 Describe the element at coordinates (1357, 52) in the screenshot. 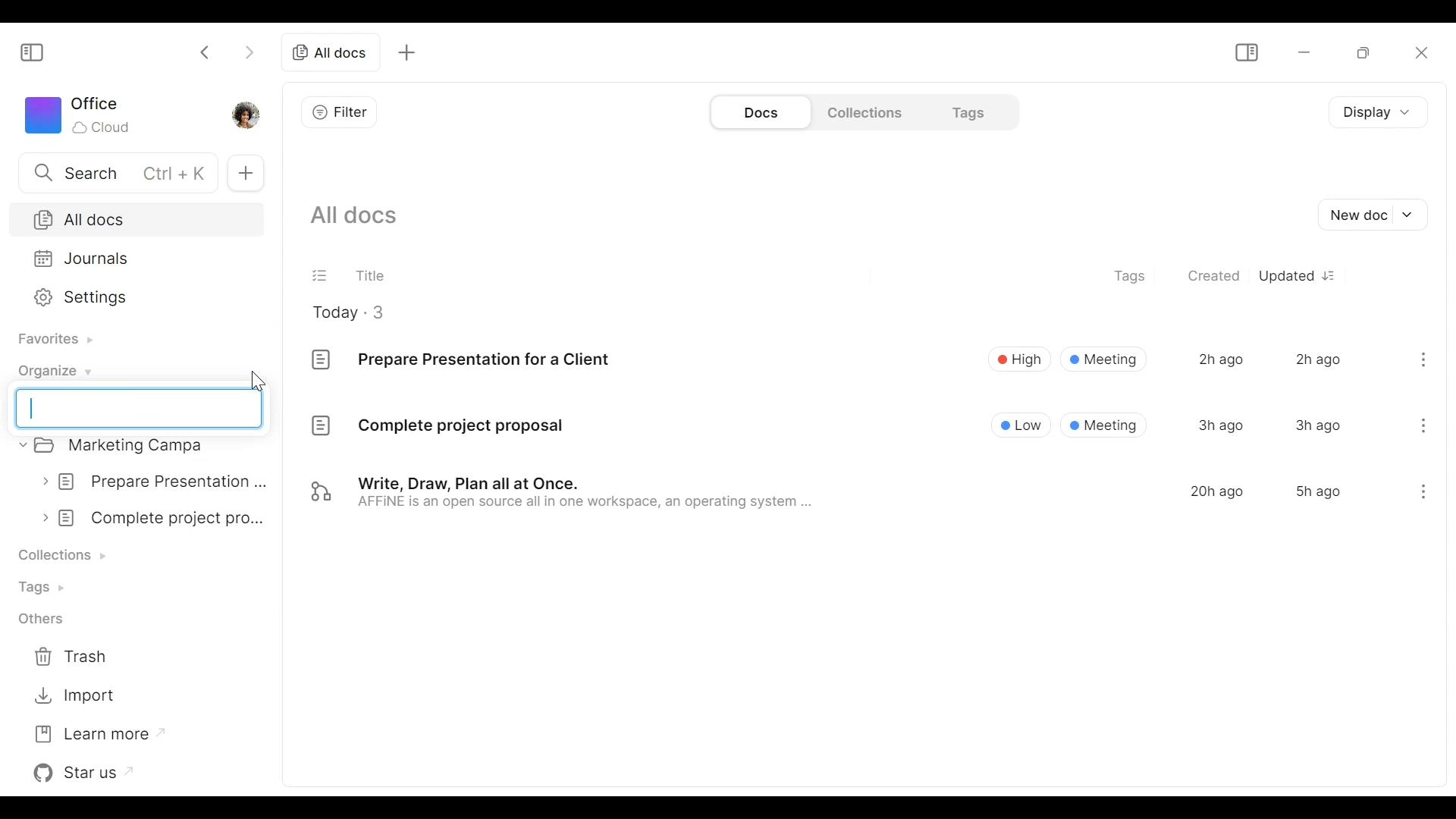

I see `Restore` at that location.